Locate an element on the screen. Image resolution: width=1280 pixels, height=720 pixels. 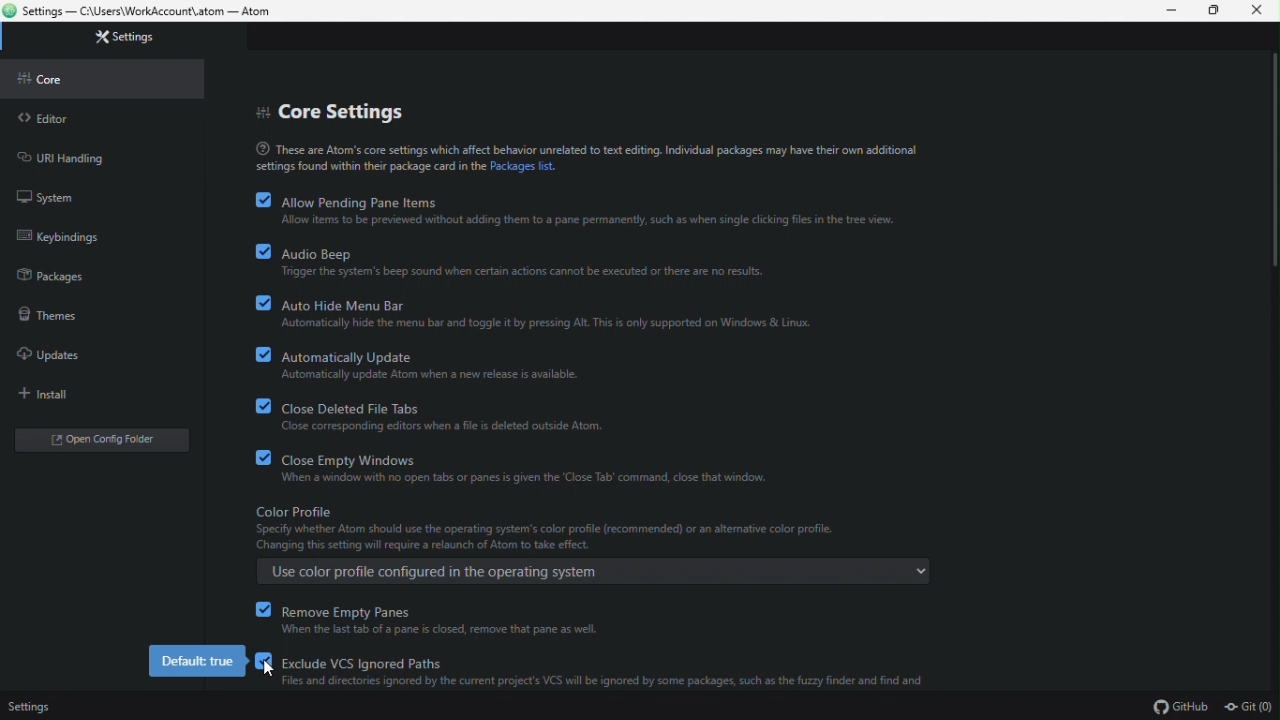
default value is located at coordinates (196, 661).